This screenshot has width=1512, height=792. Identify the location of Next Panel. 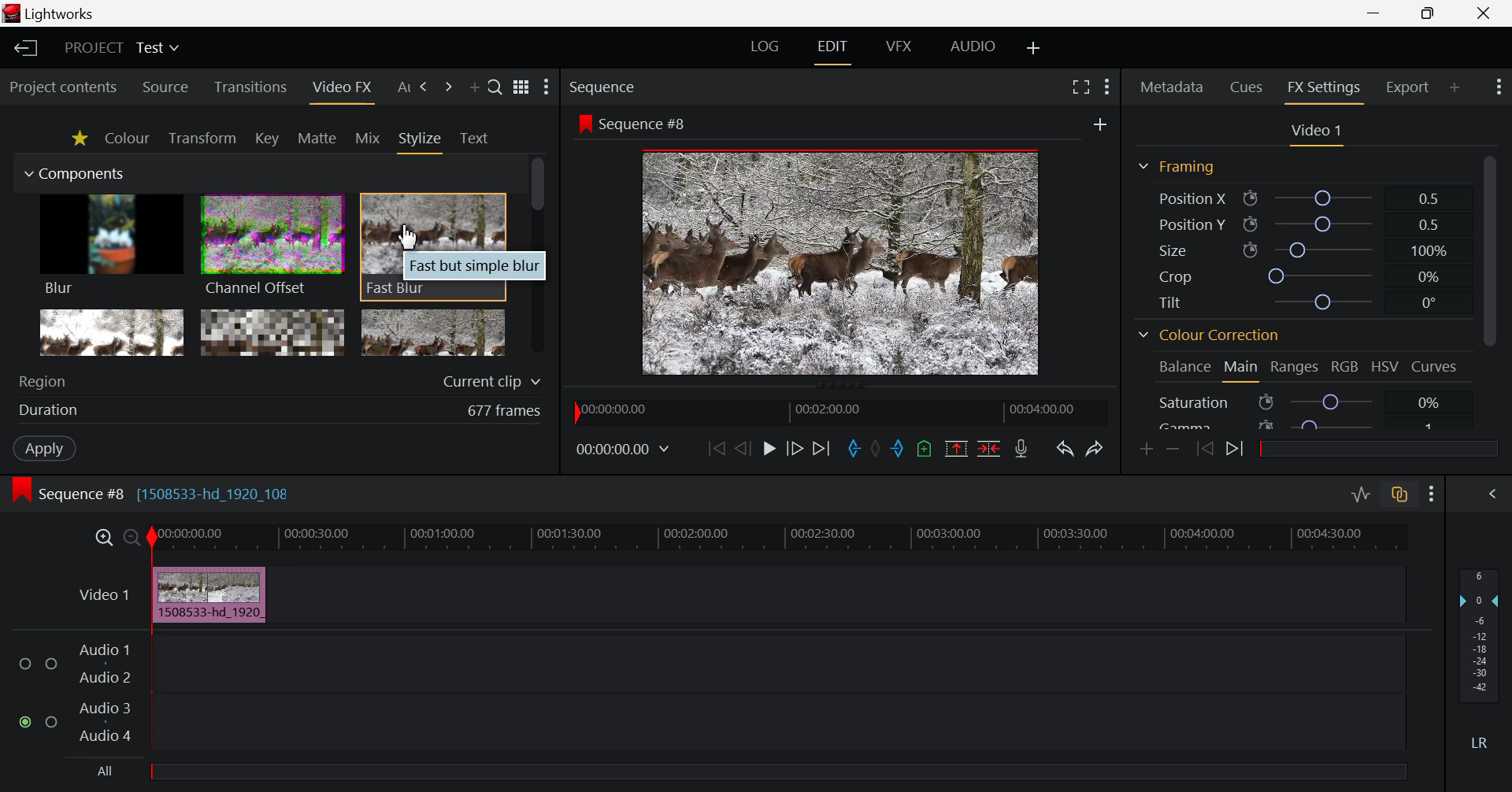
(421, 87).